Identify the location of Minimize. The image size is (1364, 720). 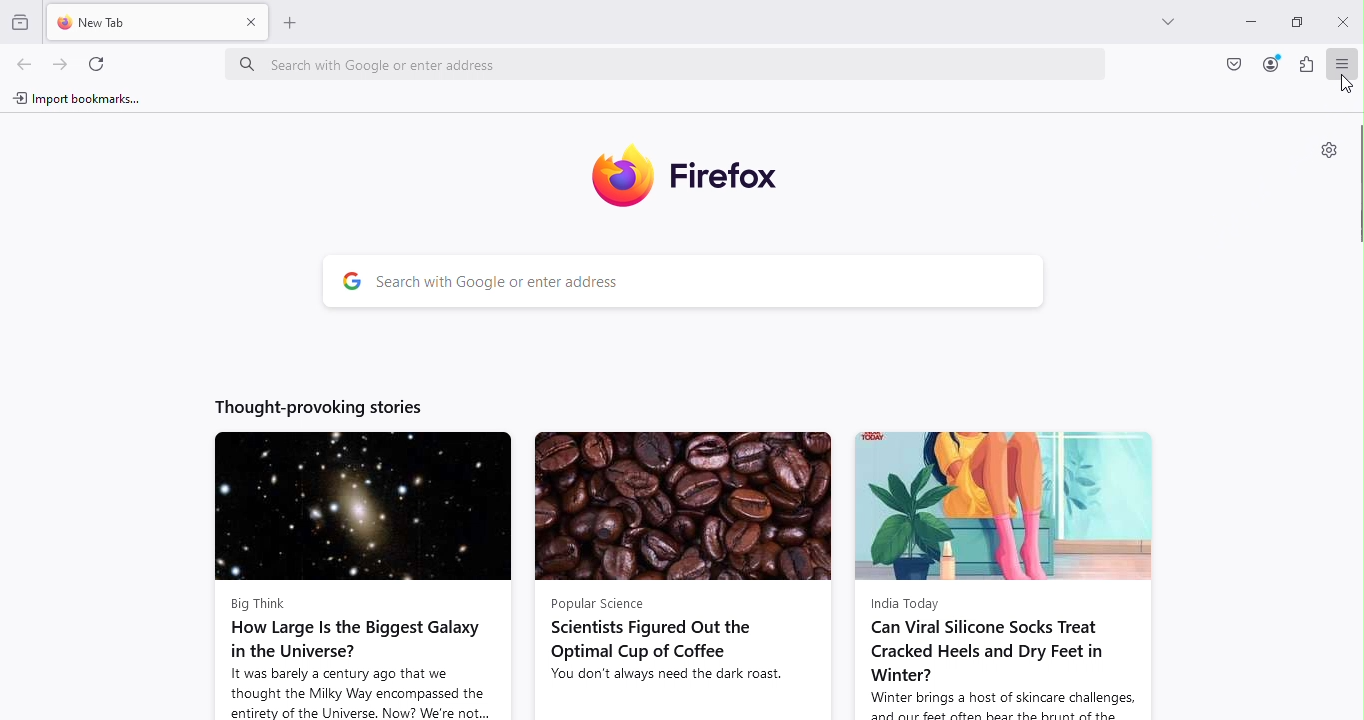
(1248, 21).